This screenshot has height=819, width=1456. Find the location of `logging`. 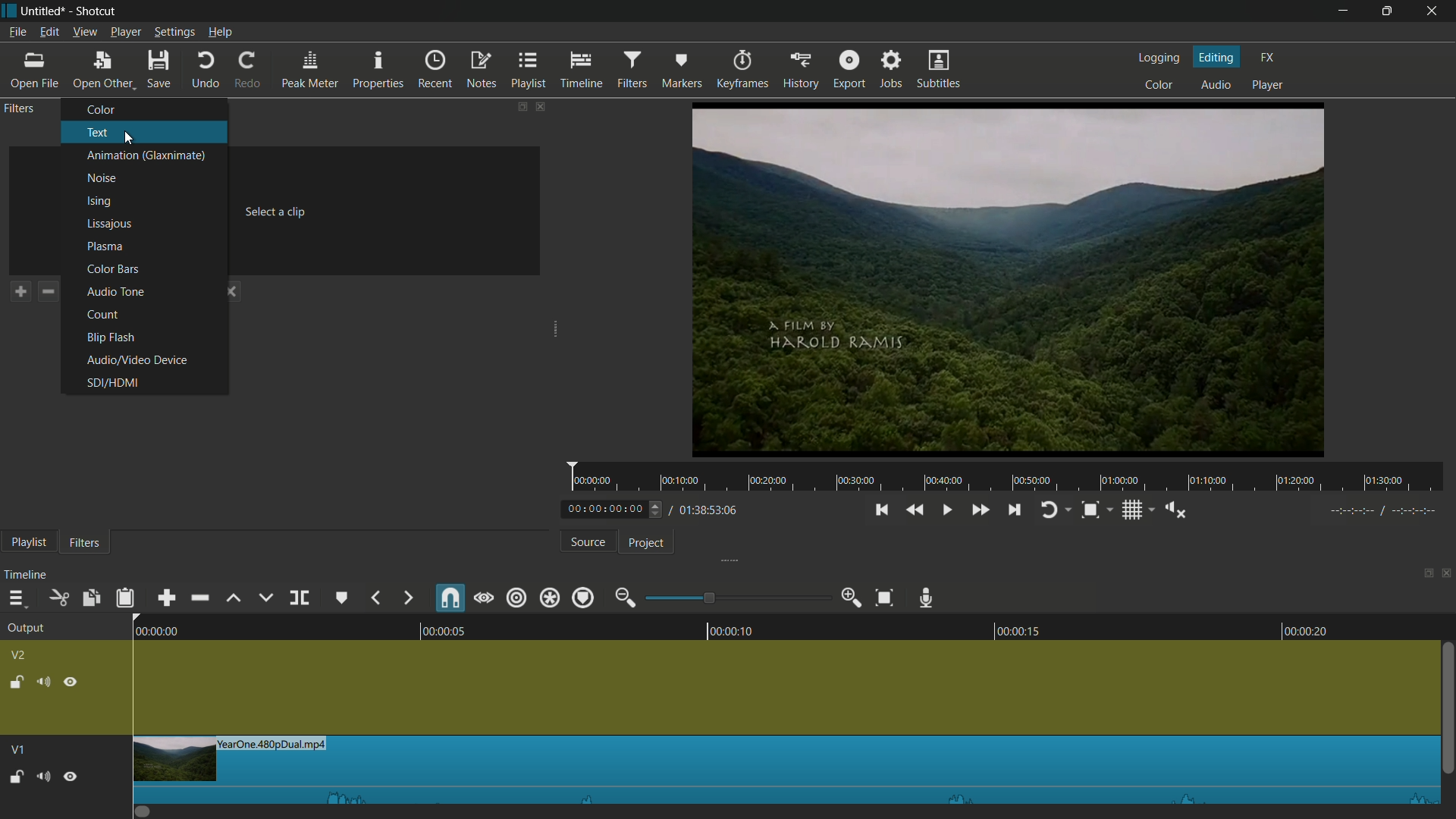

logging is located at coordinates (1161, 59).